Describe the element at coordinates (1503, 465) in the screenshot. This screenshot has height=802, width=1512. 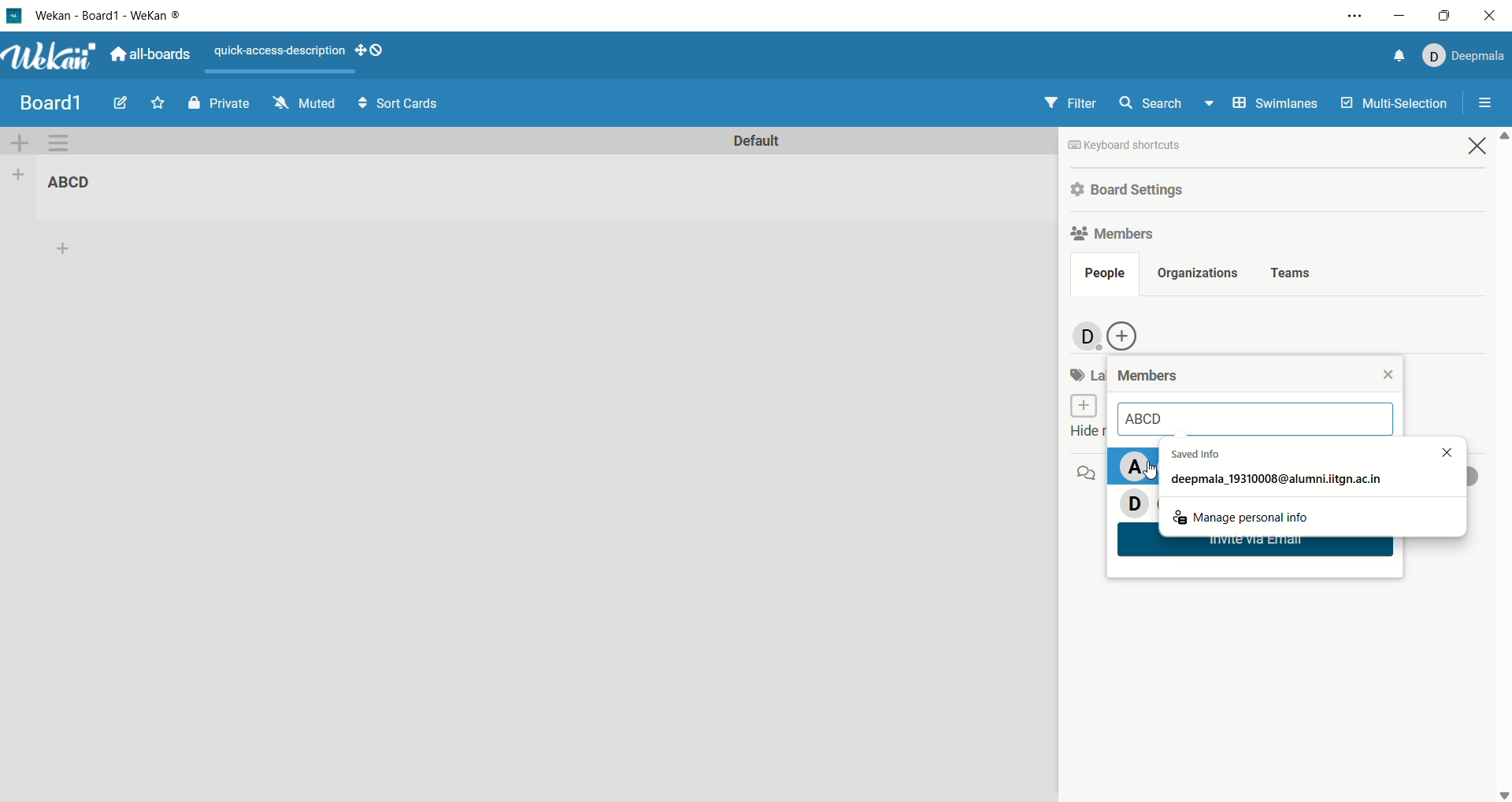
I see `vertical scroll bar` at that location.